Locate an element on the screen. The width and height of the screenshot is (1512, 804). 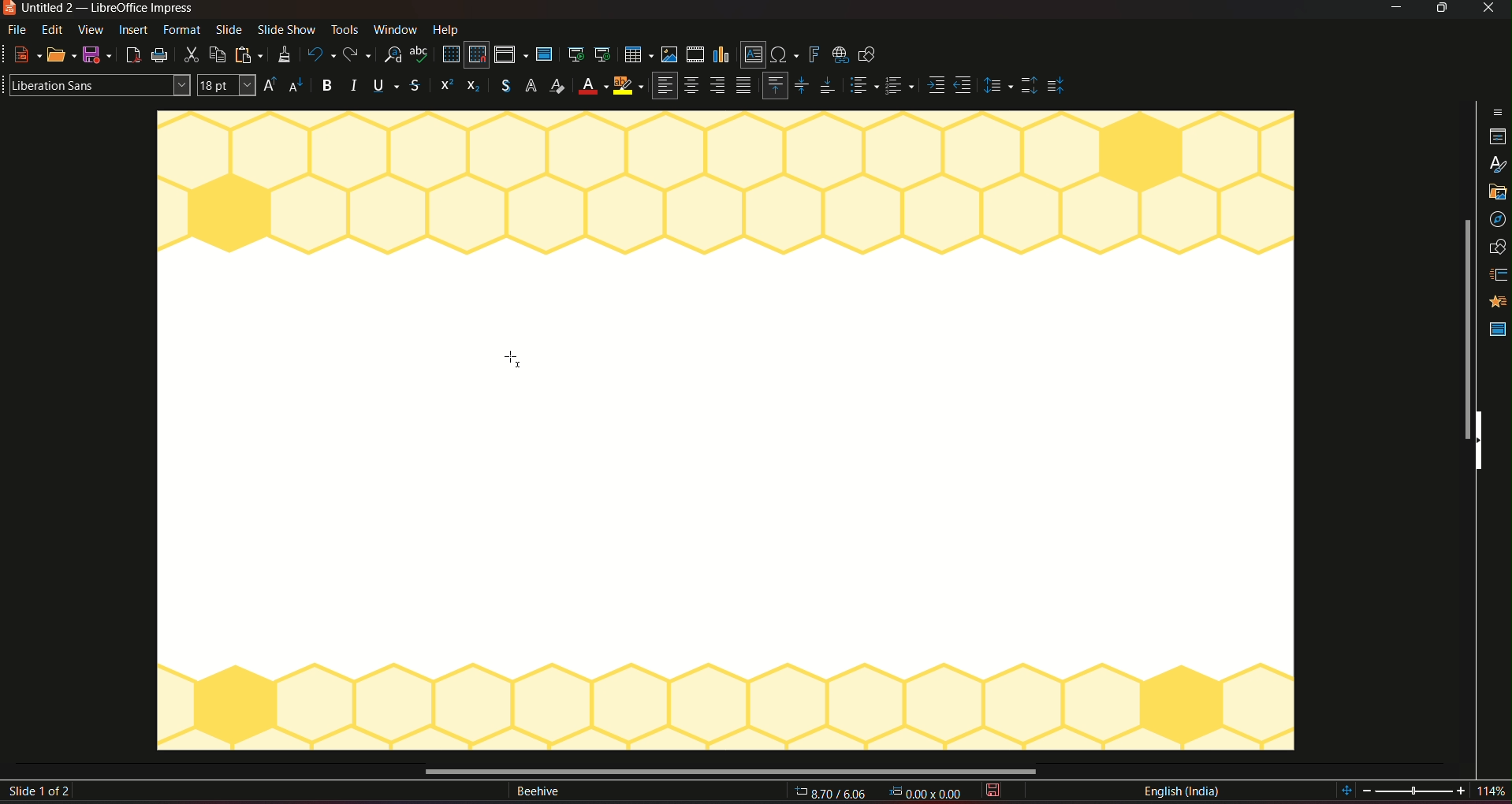
current zoom is located at coordinates (1496, 792).